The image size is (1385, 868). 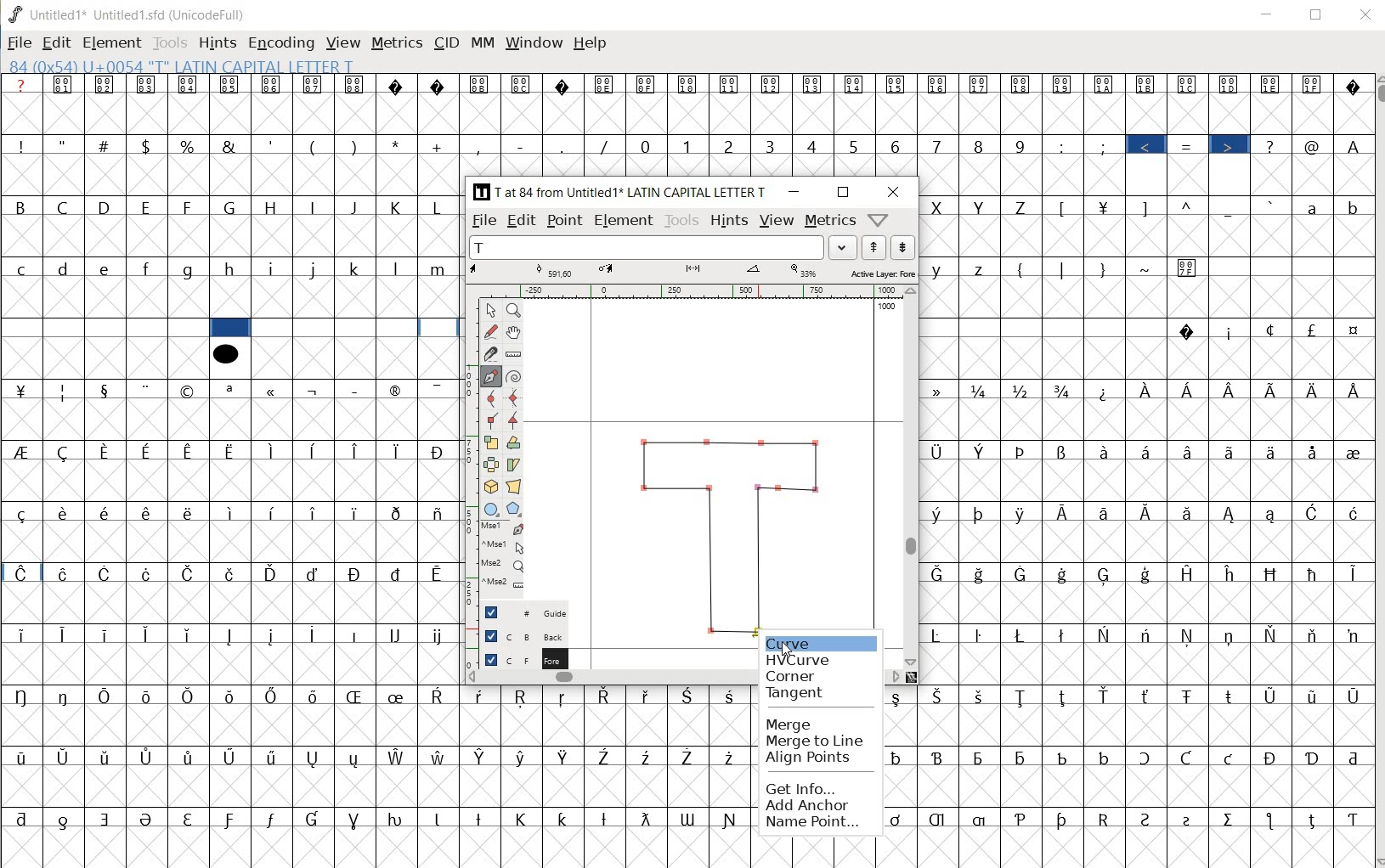 I want to click on Mouse wheel button, so click(x=504, y=565).